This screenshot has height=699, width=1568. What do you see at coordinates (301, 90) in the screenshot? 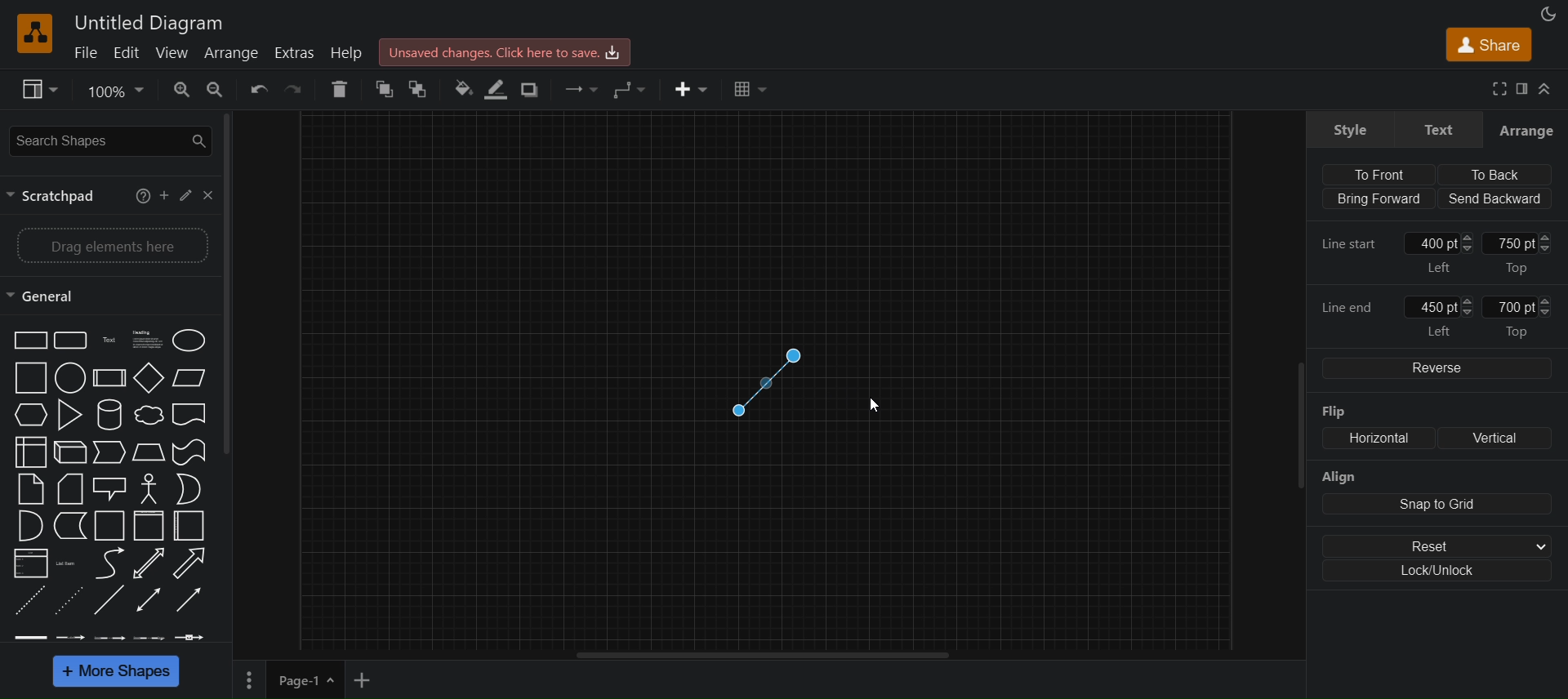
I see `redo` at bounding box center [301, 90].